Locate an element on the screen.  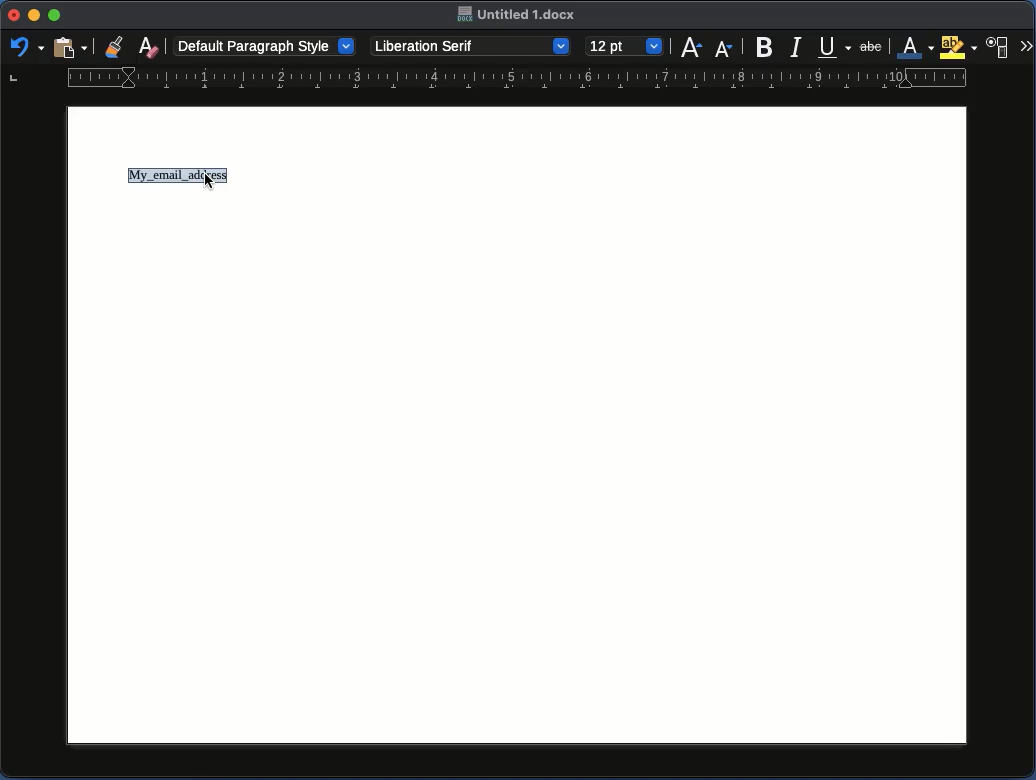
Size decrease is located at coordinates (723, 49).